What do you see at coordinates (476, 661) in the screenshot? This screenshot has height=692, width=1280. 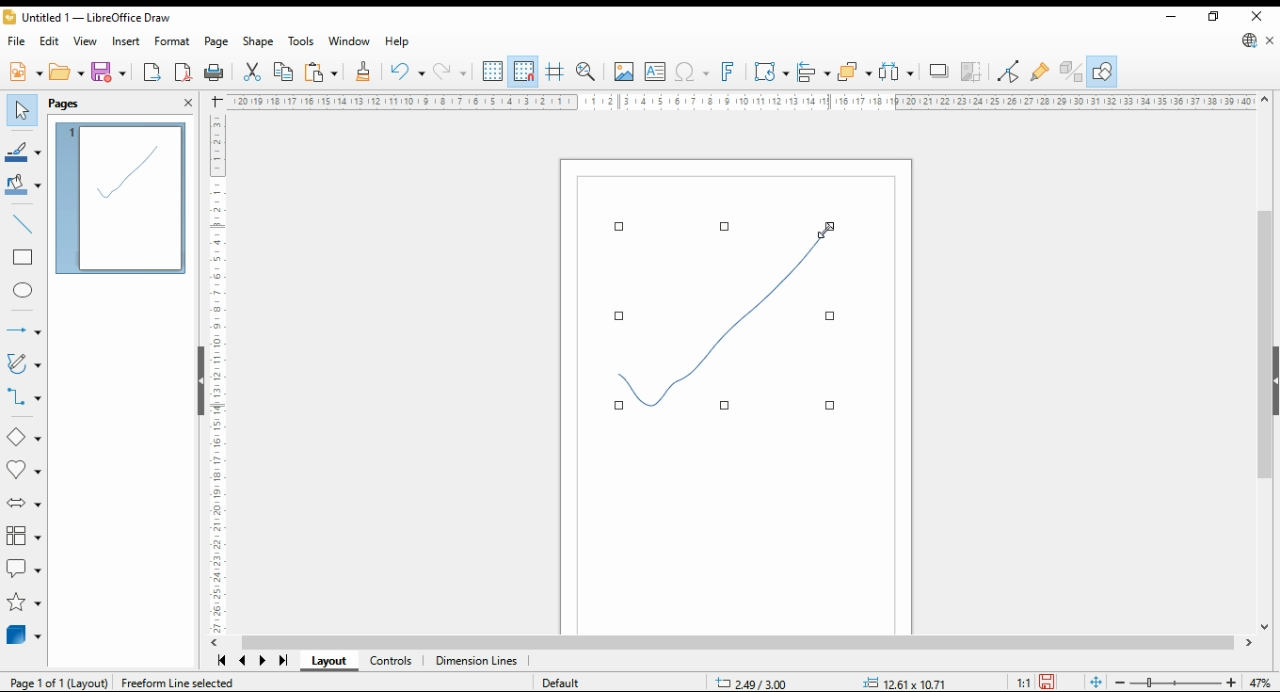 I see `dimension lines` at bounding box center [476, 661].